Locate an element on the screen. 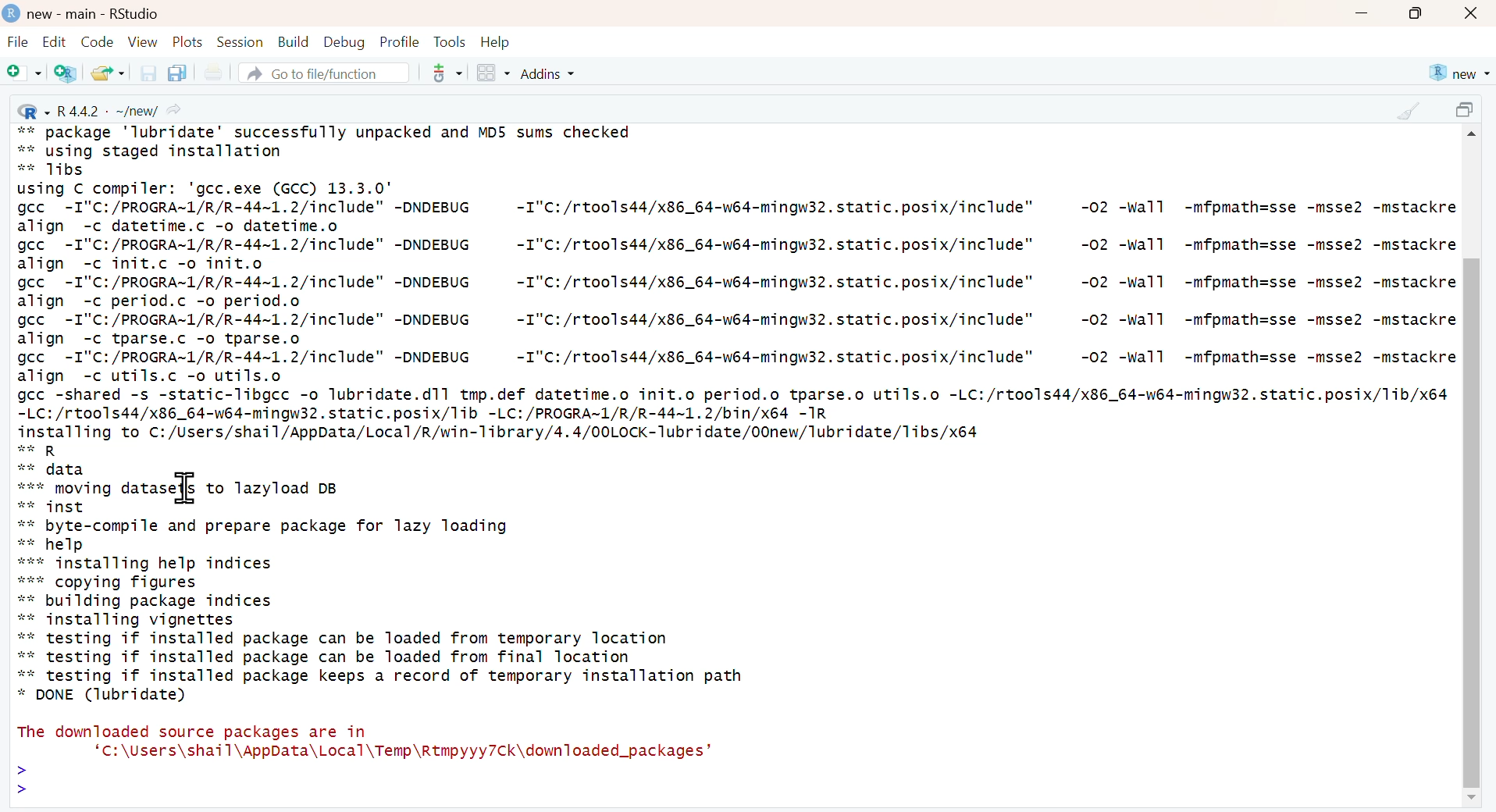  Edit is located at coordinates (54, 41).